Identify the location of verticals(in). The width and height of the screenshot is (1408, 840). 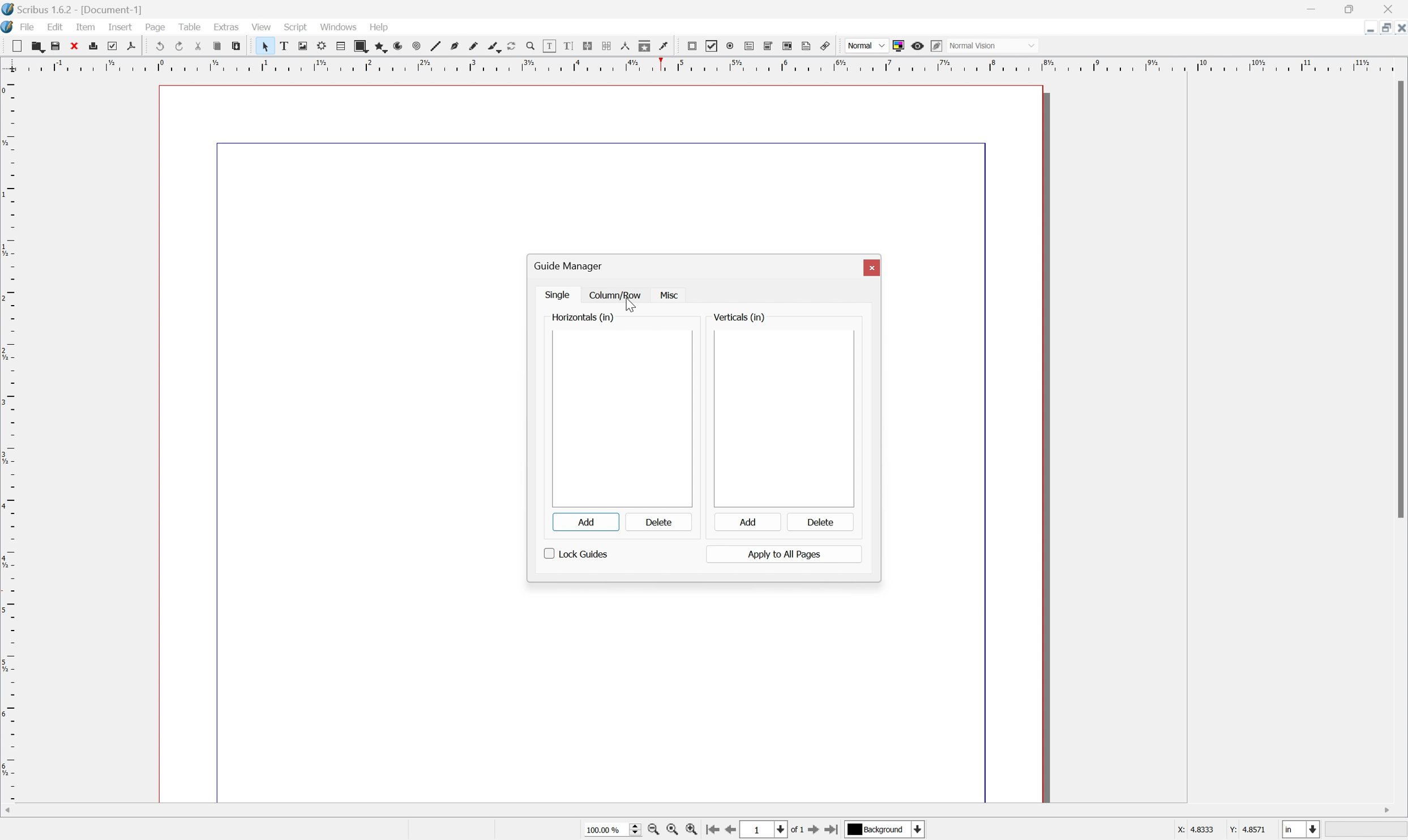
(737, 316).